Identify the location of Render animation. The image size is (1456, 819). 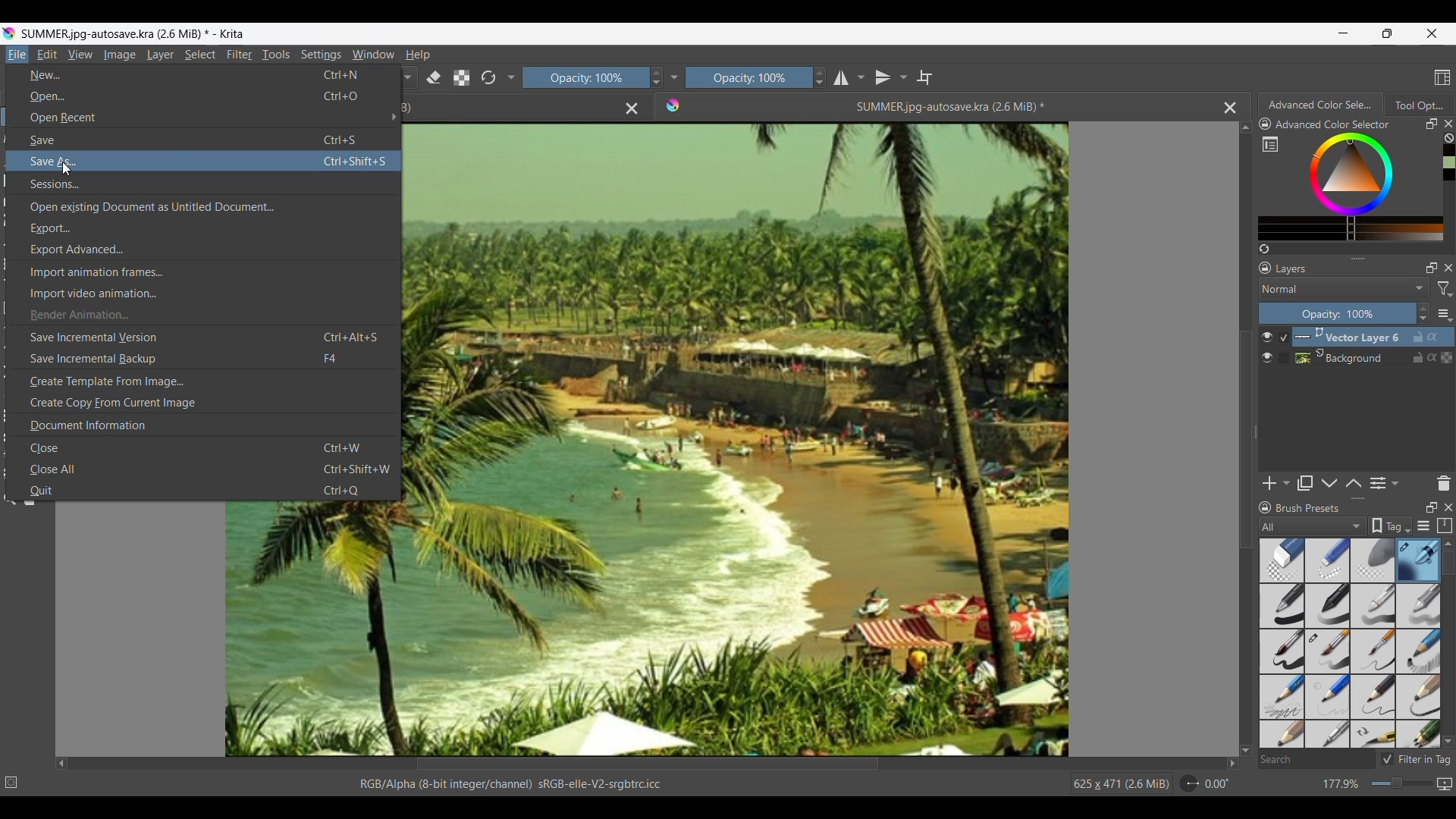
(205, 315).